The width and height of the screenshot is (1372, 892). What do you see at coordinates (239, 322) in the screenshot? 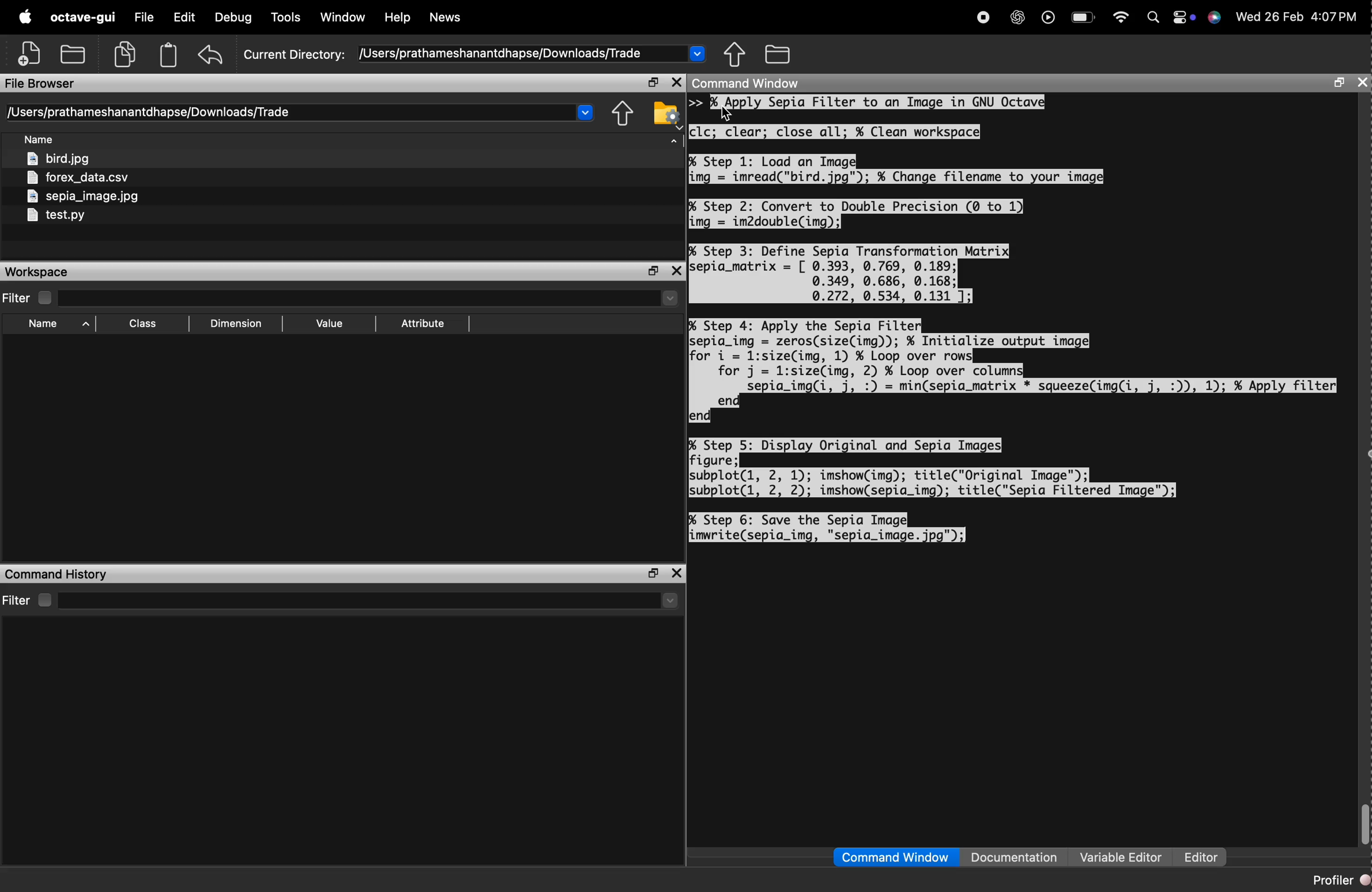
I see `Dimension` at bounding box center [239, 322].